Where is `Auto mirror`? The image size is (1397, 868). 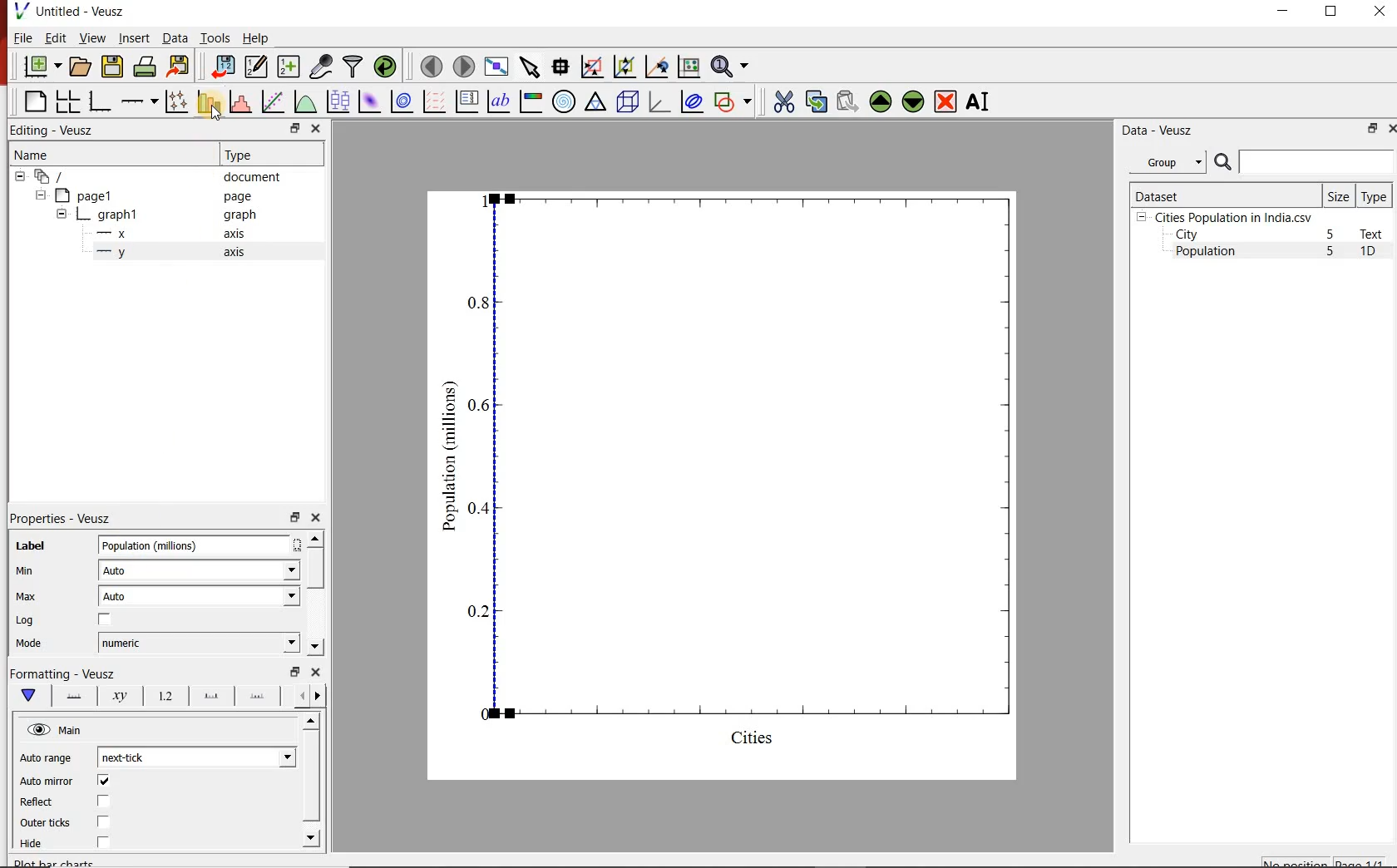
Auto mirror is located at coordinates (48, 780).